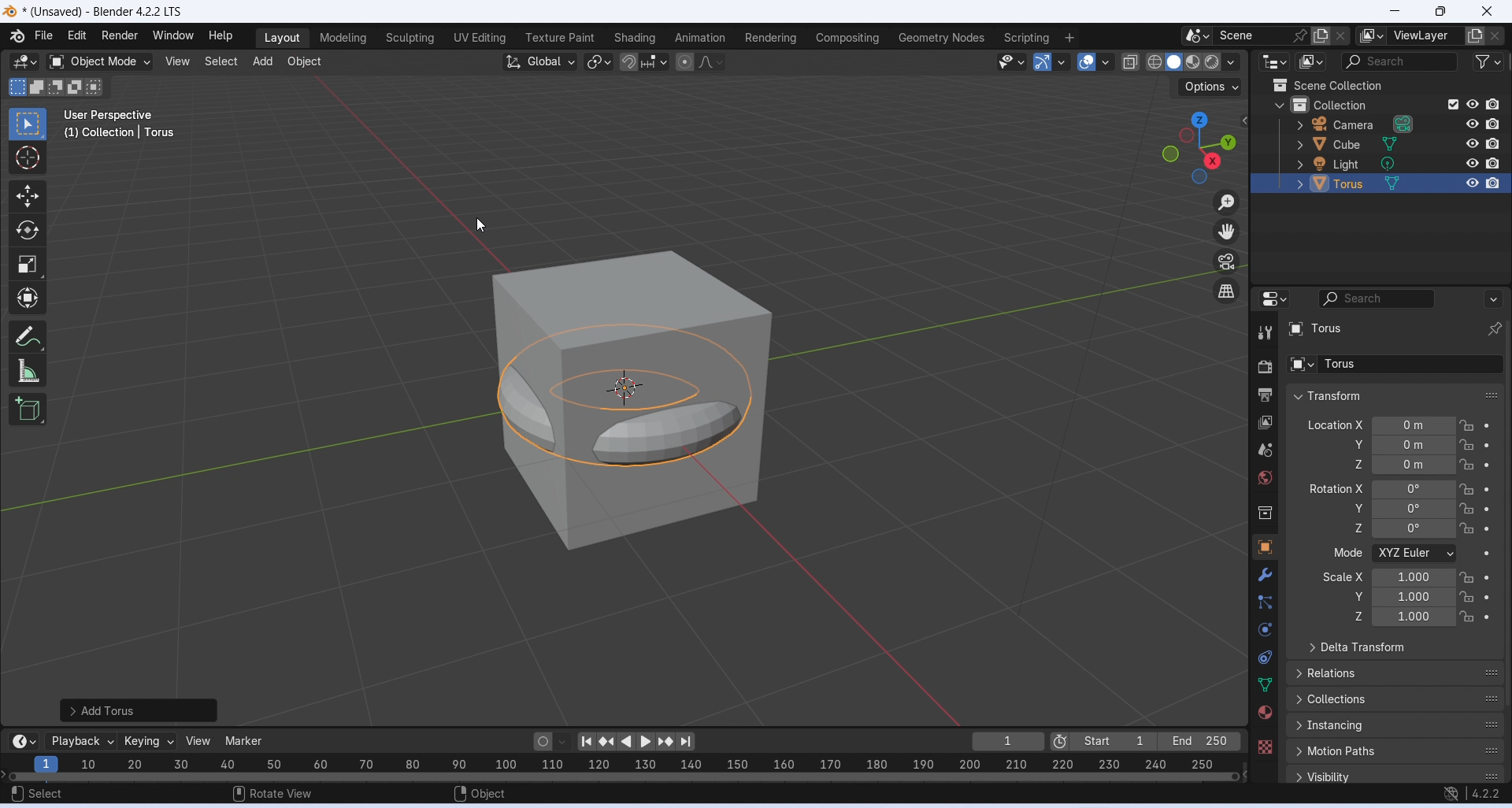 The image size is (1512, 808). I want to click on Move, so click(27, 197).